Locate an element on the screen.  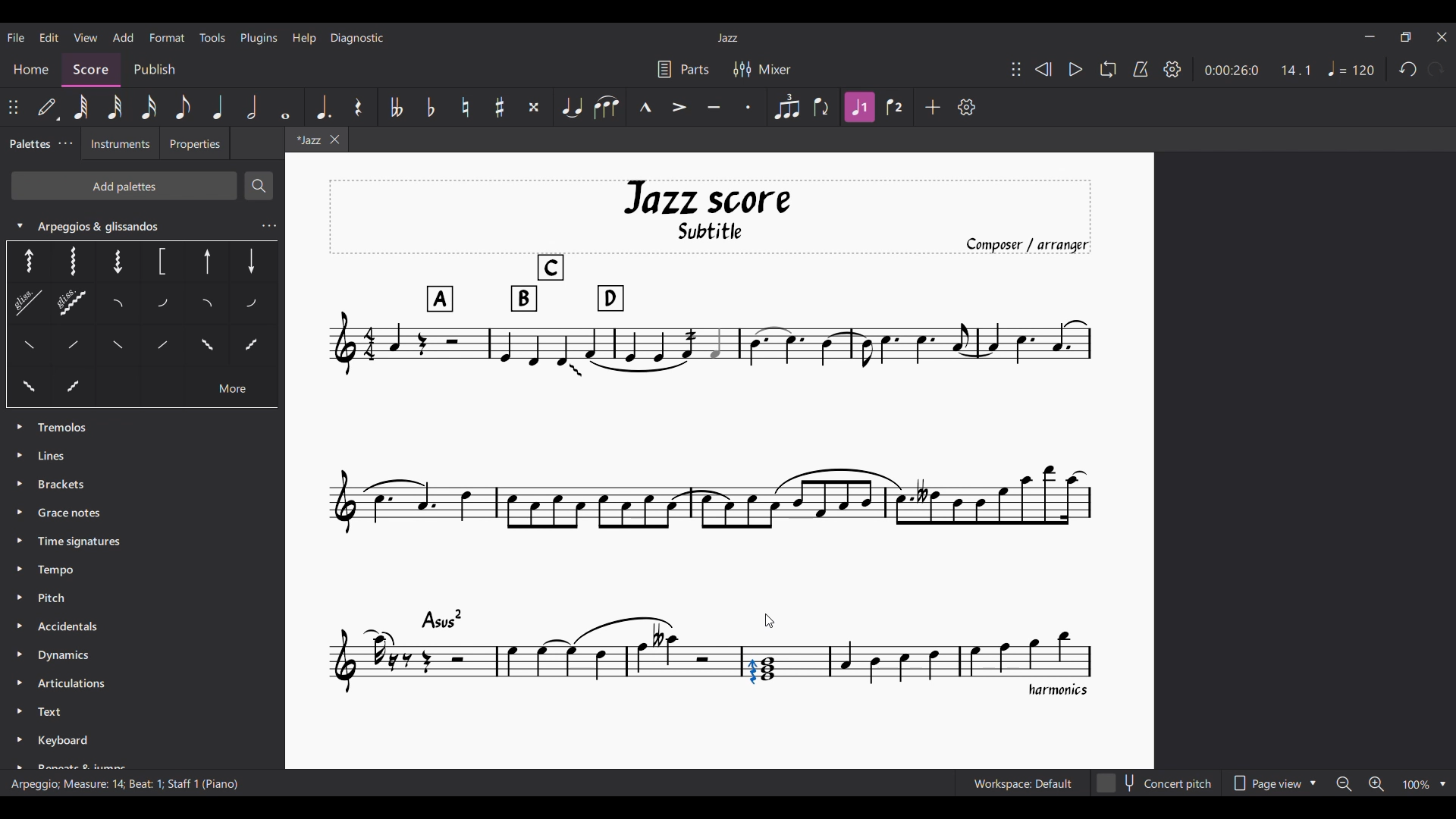
64th note is located at coordinates (81, 107).